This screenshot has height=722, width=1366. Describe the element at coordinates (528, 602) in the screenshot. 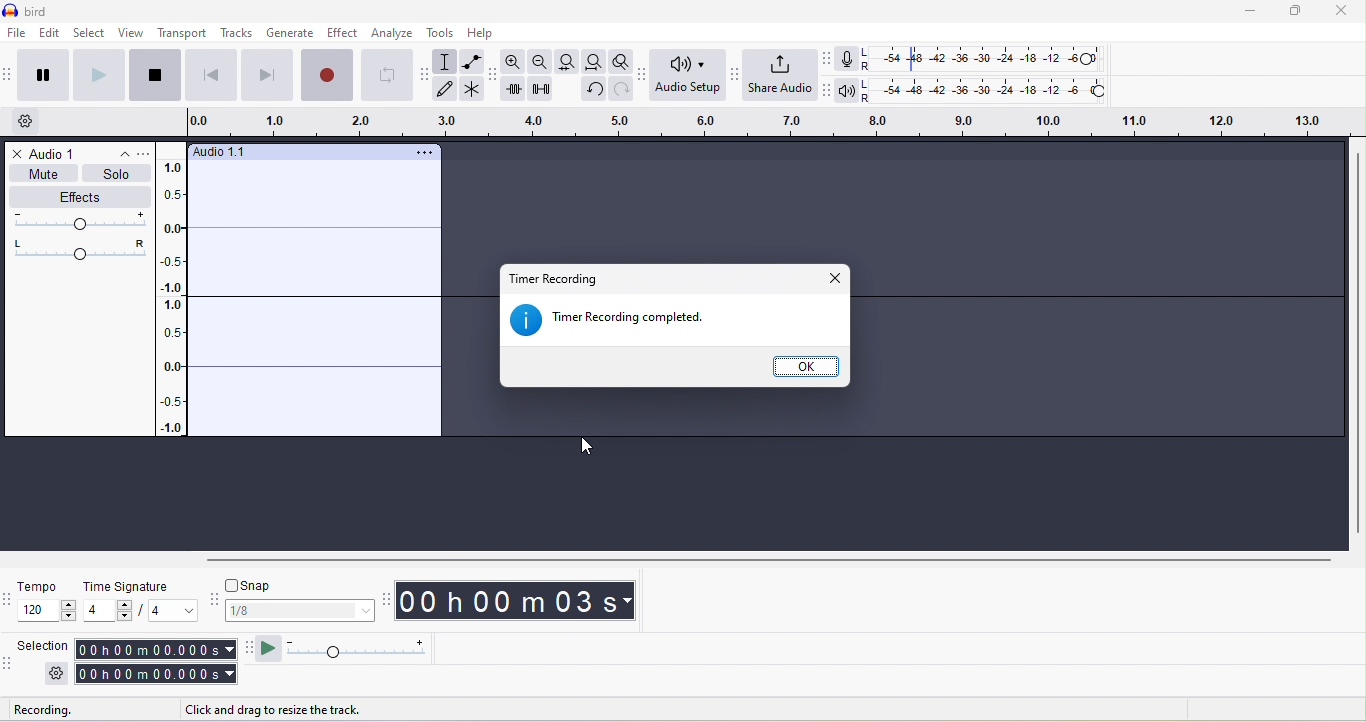

I see `00h00m03s` at that location.